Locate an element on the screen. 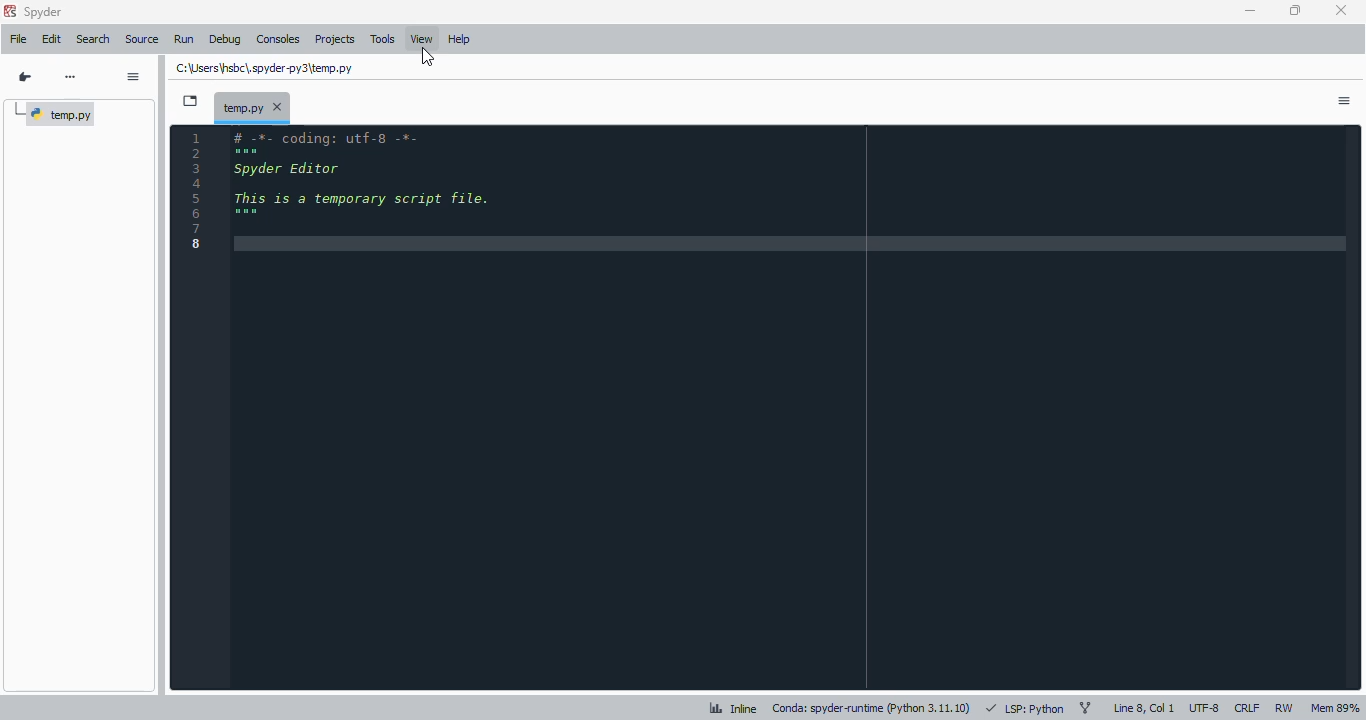  file is located at coordinates (19, 39).